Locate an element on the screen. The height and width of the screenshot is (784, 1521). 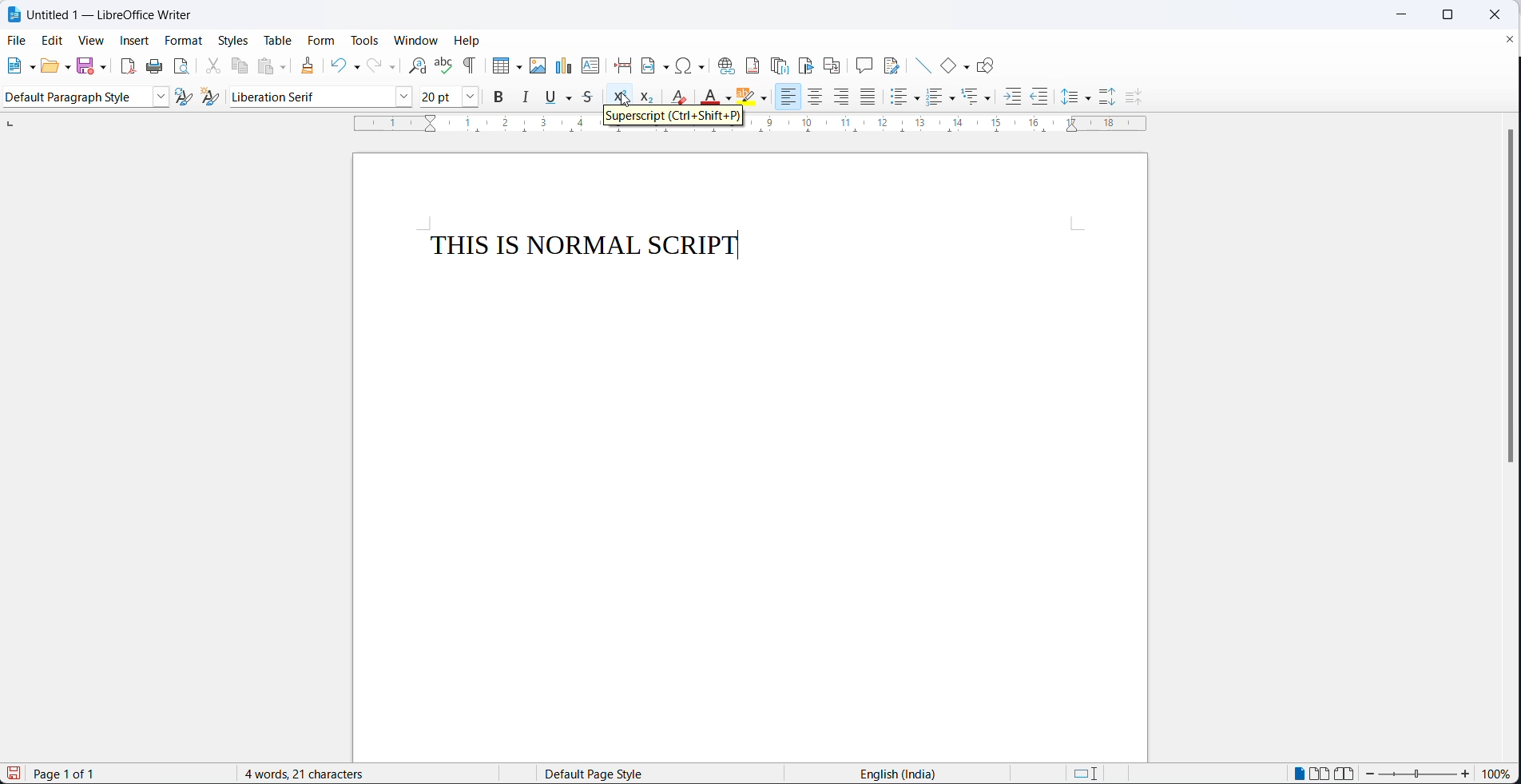
new file options is located at coordinates (29, 65).